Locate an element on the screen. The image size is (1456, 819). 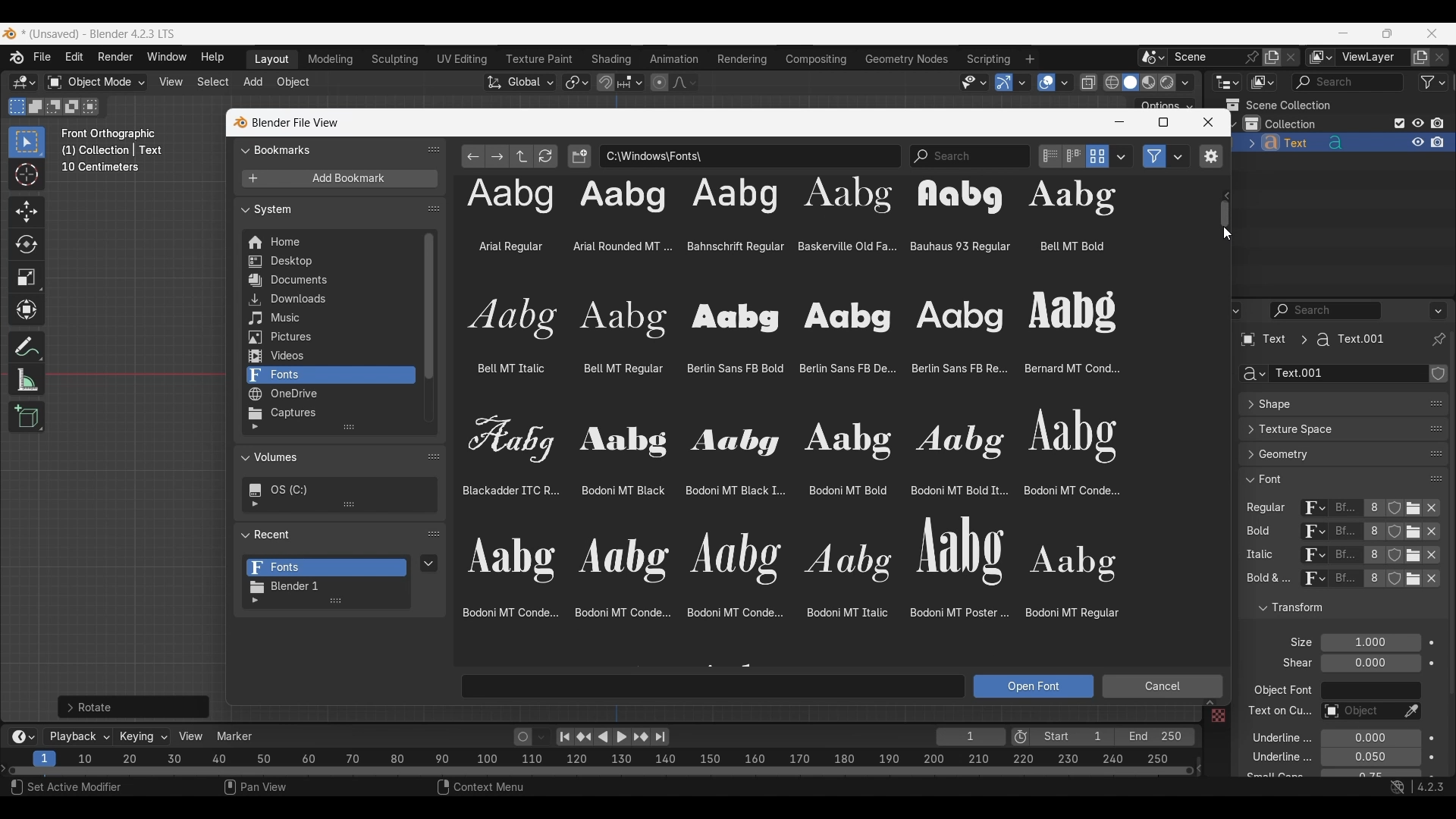
Change order in list is located at coordinates (434, 456).